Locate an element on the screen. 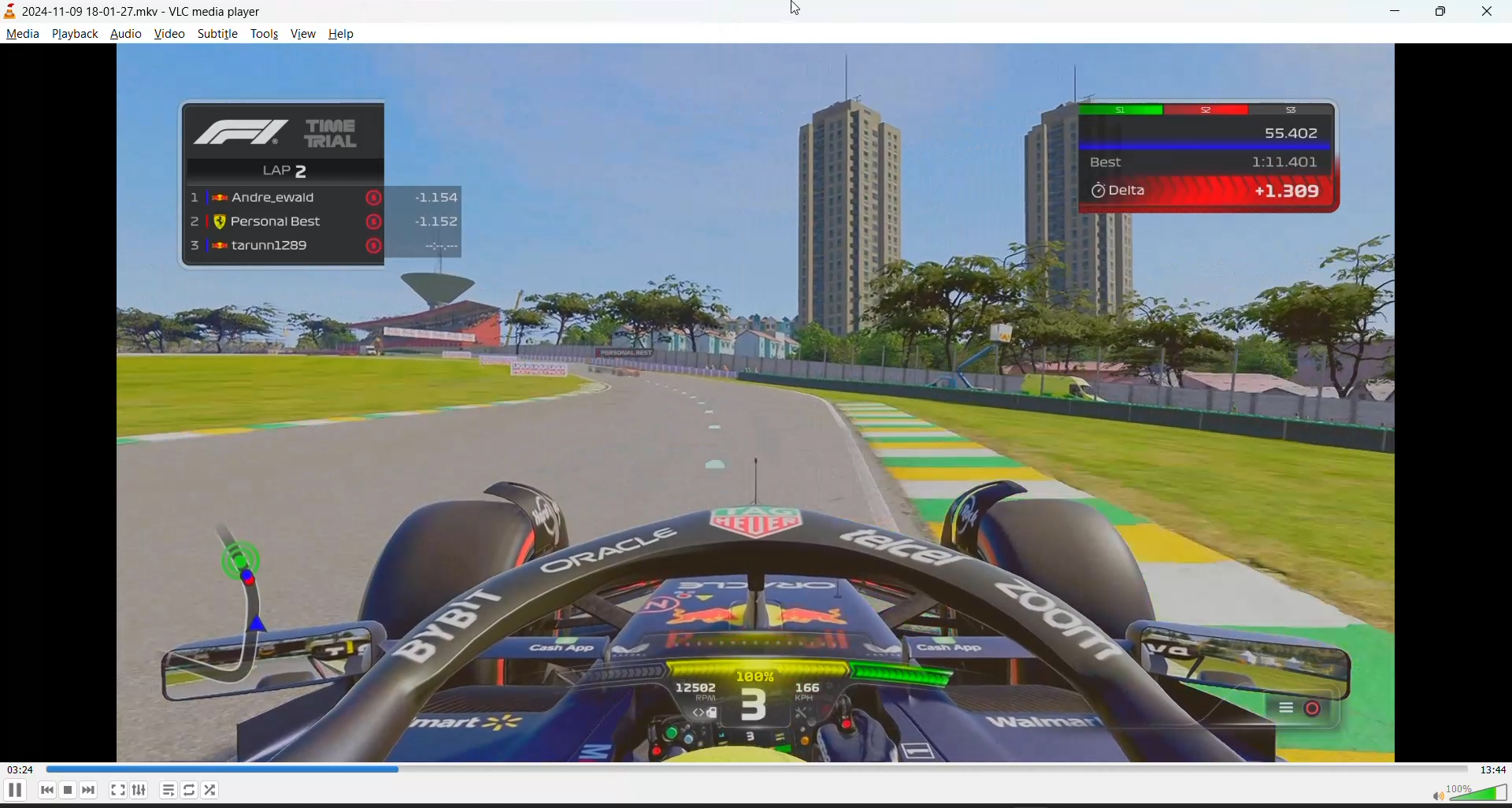  track slider is located at coordinates (758, 769).